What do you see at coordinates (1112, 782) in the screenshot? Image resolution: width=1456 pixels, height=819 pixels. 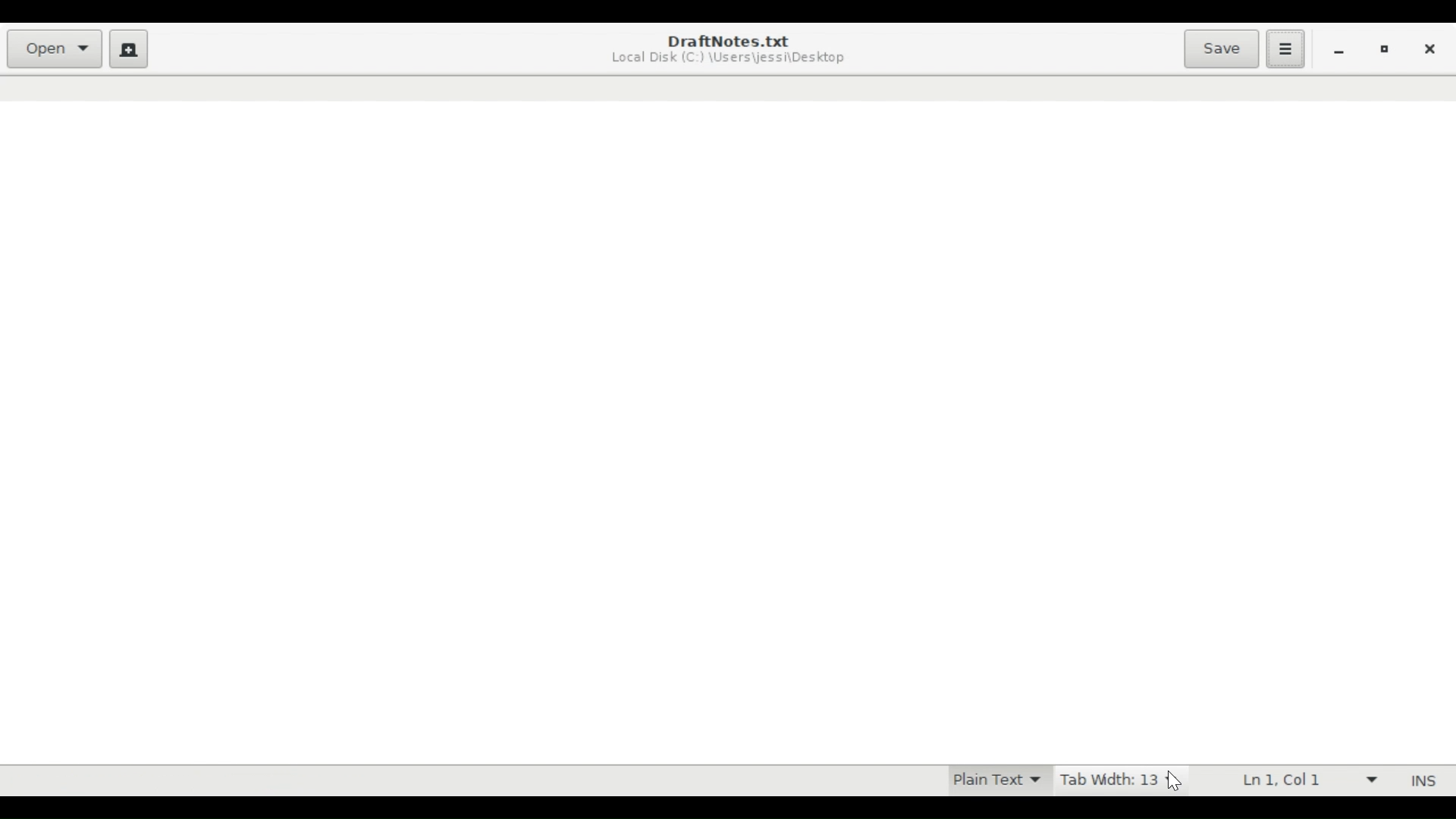 I see `Tab Width: 13` at bounding box center [1112, 782].